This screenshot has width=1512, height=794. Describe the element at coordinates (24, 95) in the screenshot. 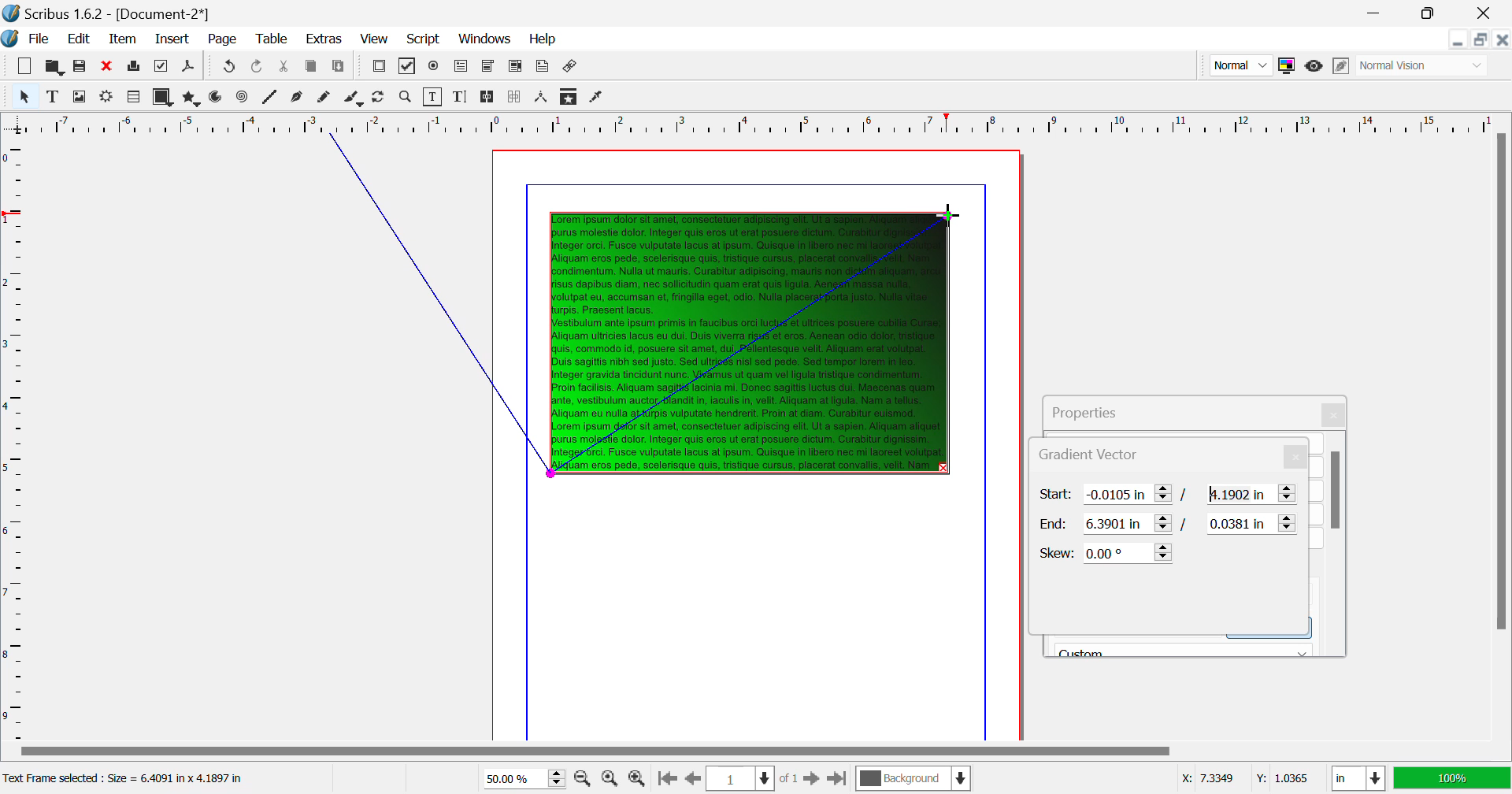

I see `Select` at that location.